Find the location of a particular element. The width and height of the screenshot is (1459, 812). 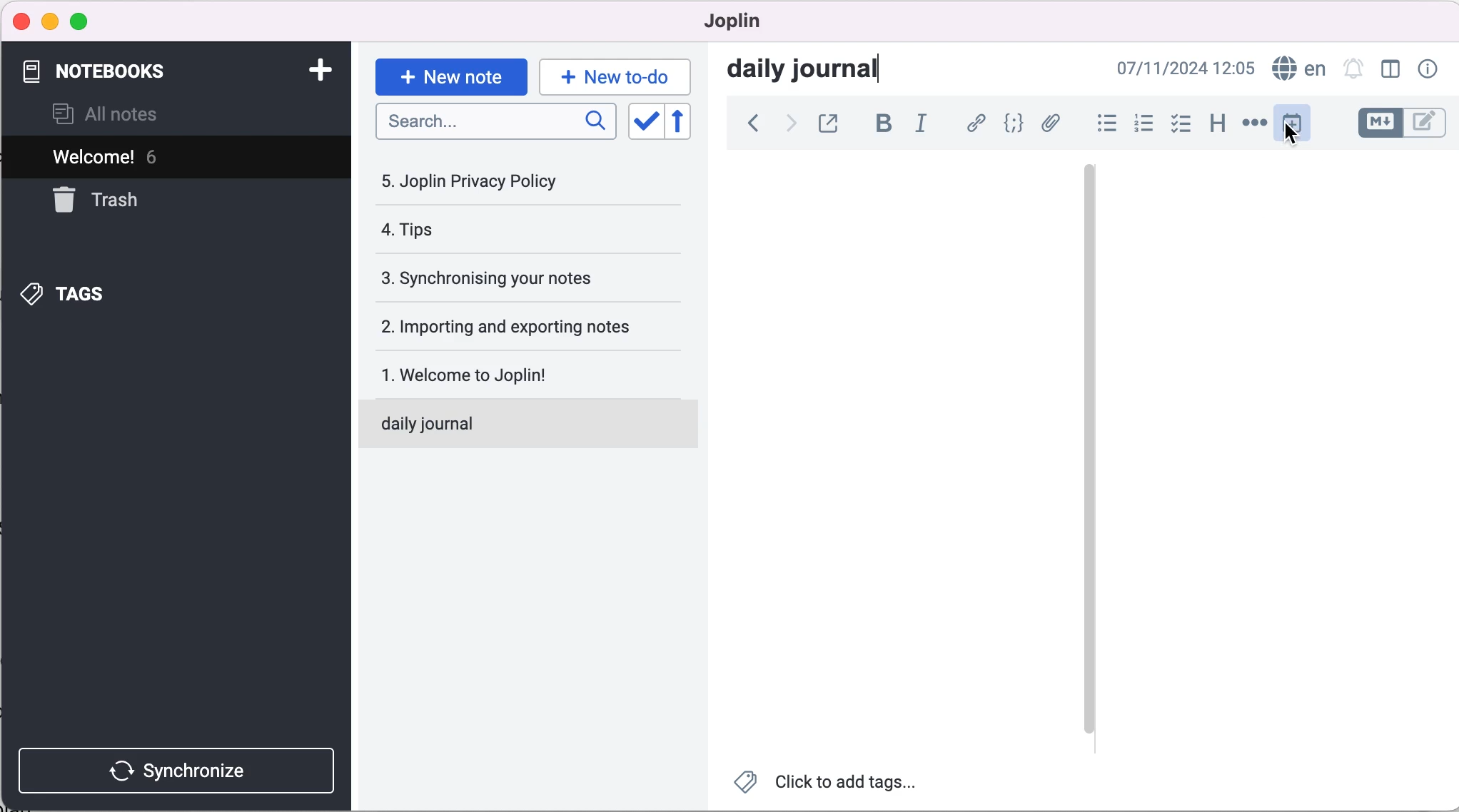

daily journal is located at coordinates (817, 71).